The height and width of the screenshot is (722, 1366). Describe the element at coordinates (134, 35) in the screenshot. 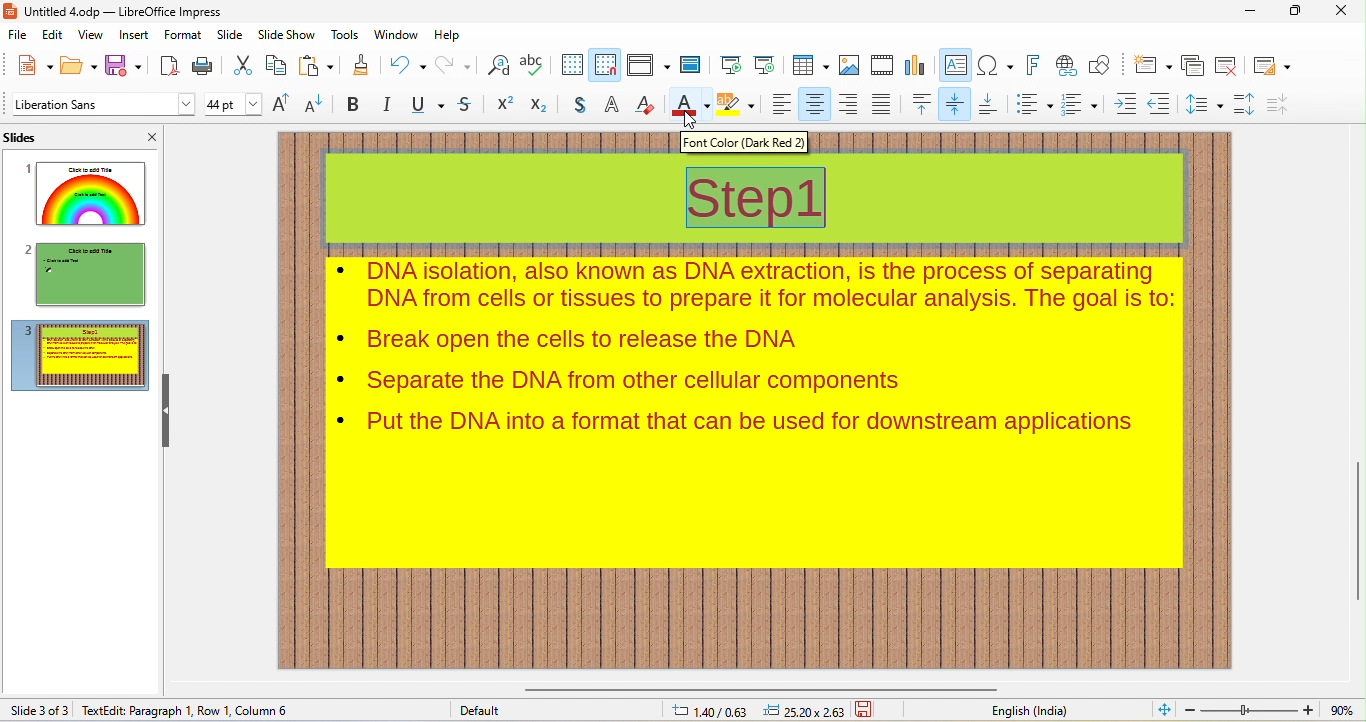

I see `insert` at that location.